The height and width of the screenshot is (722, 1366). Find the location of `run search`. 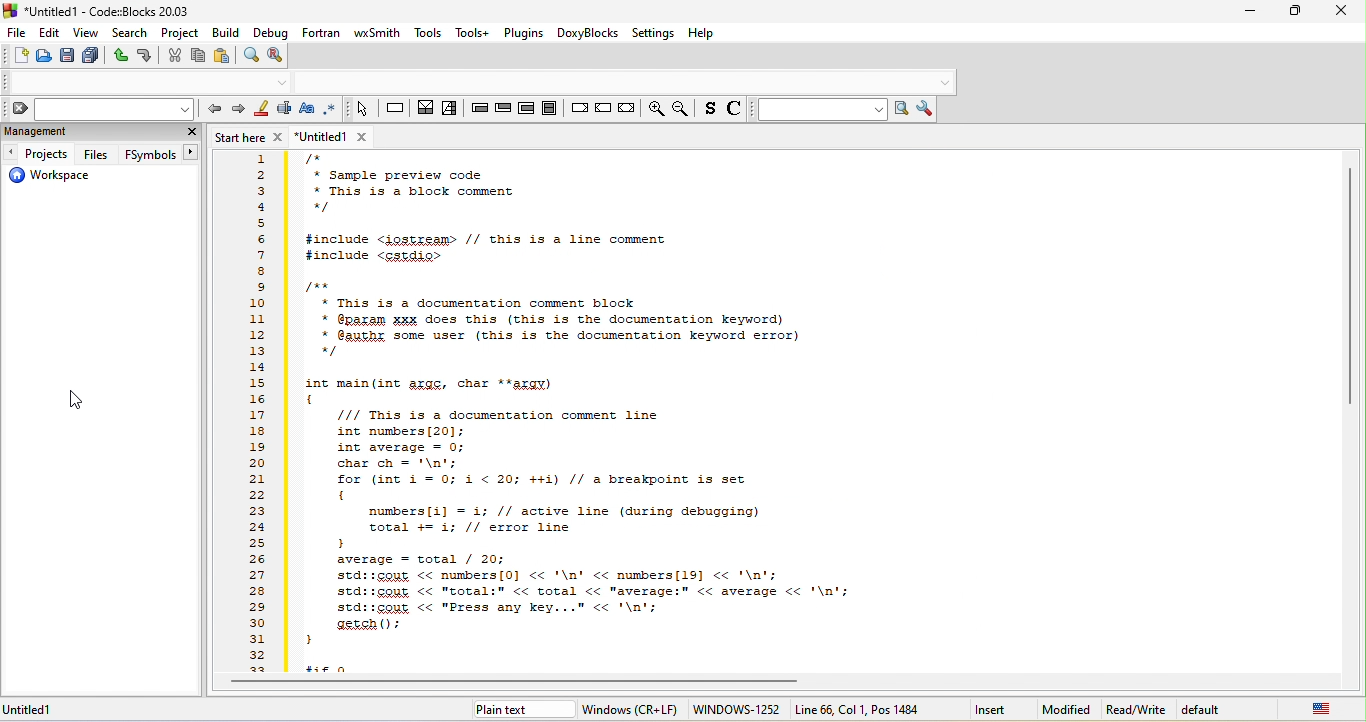

run search is located at coordinates (904, 110).